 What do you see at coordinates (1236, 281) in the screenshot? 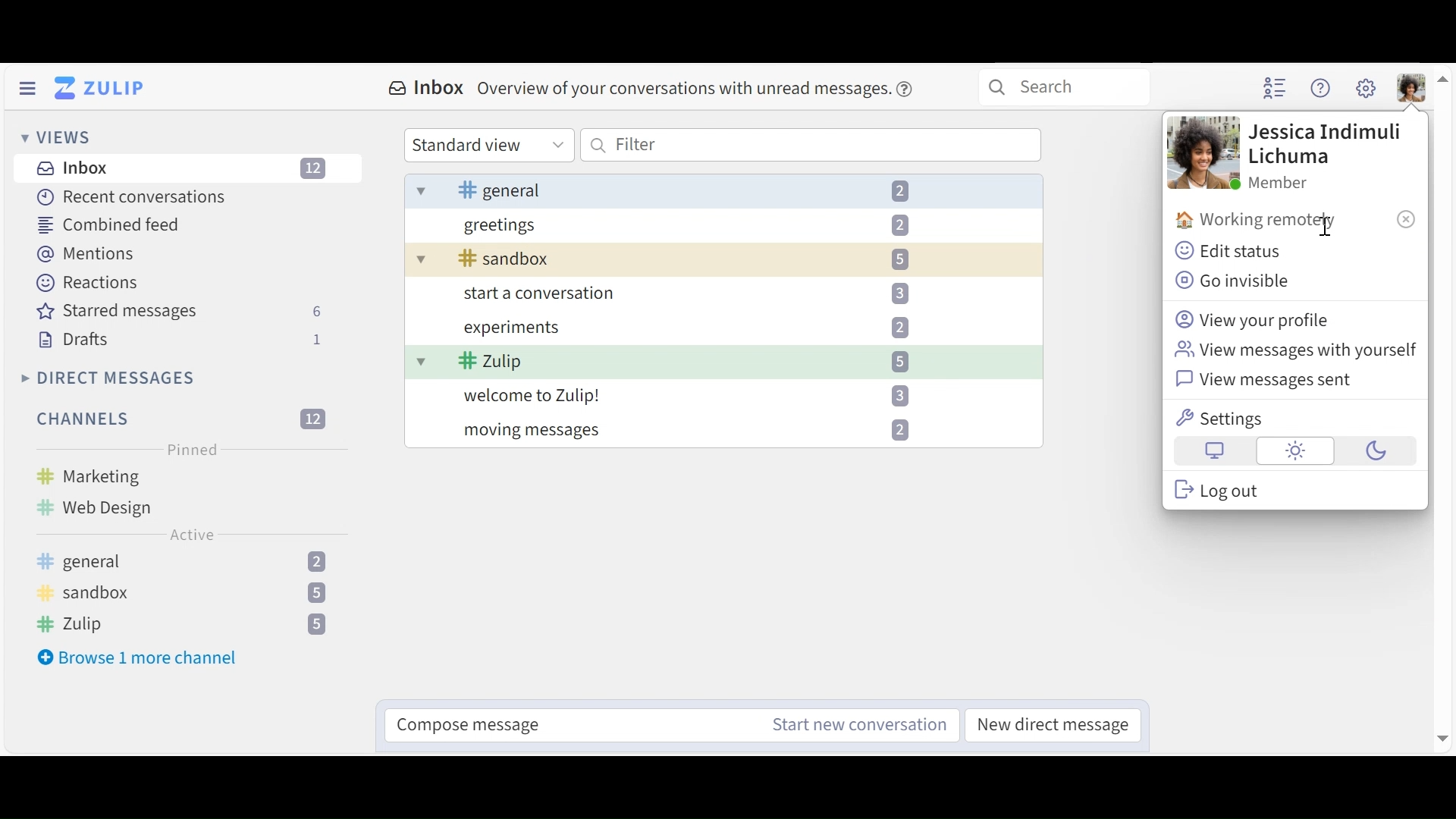
I see `Go invisible` at bounding box center [1236, 281].